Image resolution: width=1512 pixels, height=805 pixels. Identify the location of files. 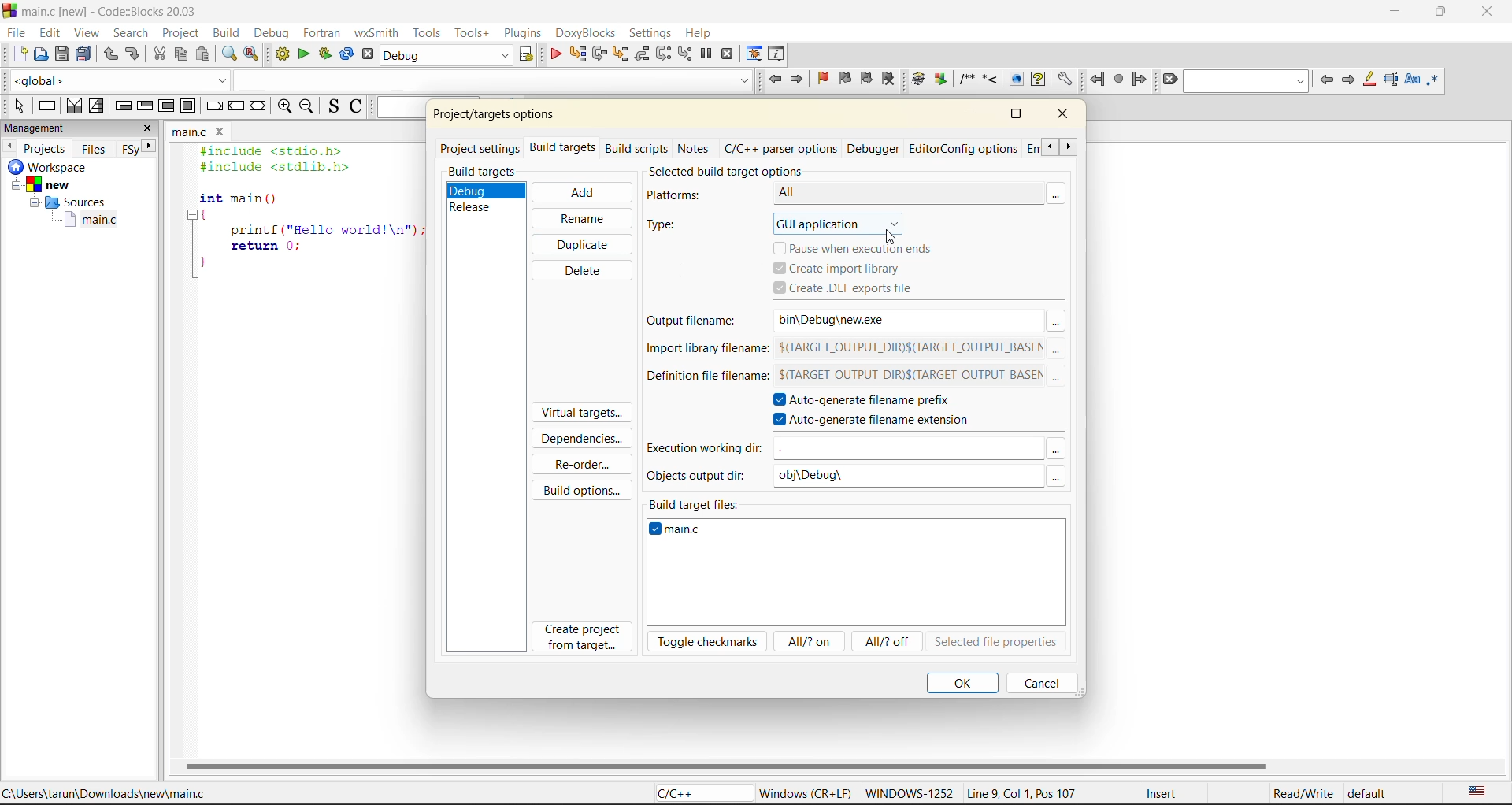
(94, 150).